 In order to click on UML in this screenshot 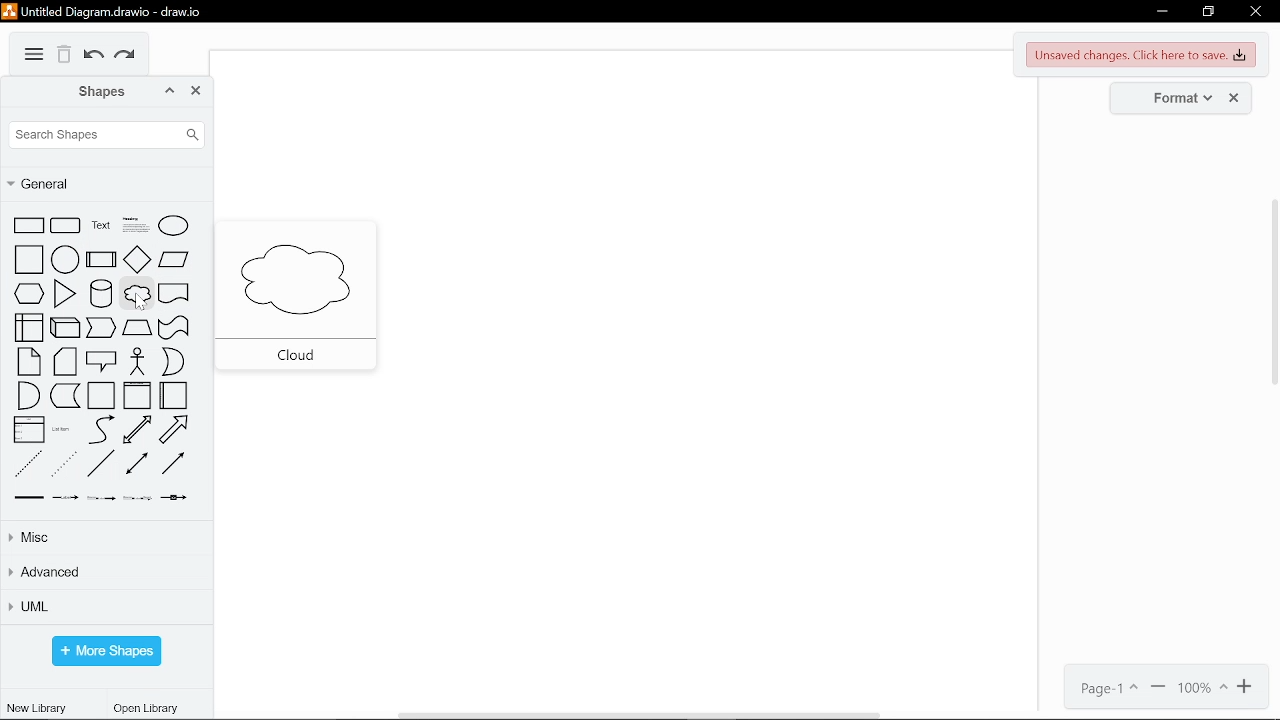, I will do `click(105, 606)`.